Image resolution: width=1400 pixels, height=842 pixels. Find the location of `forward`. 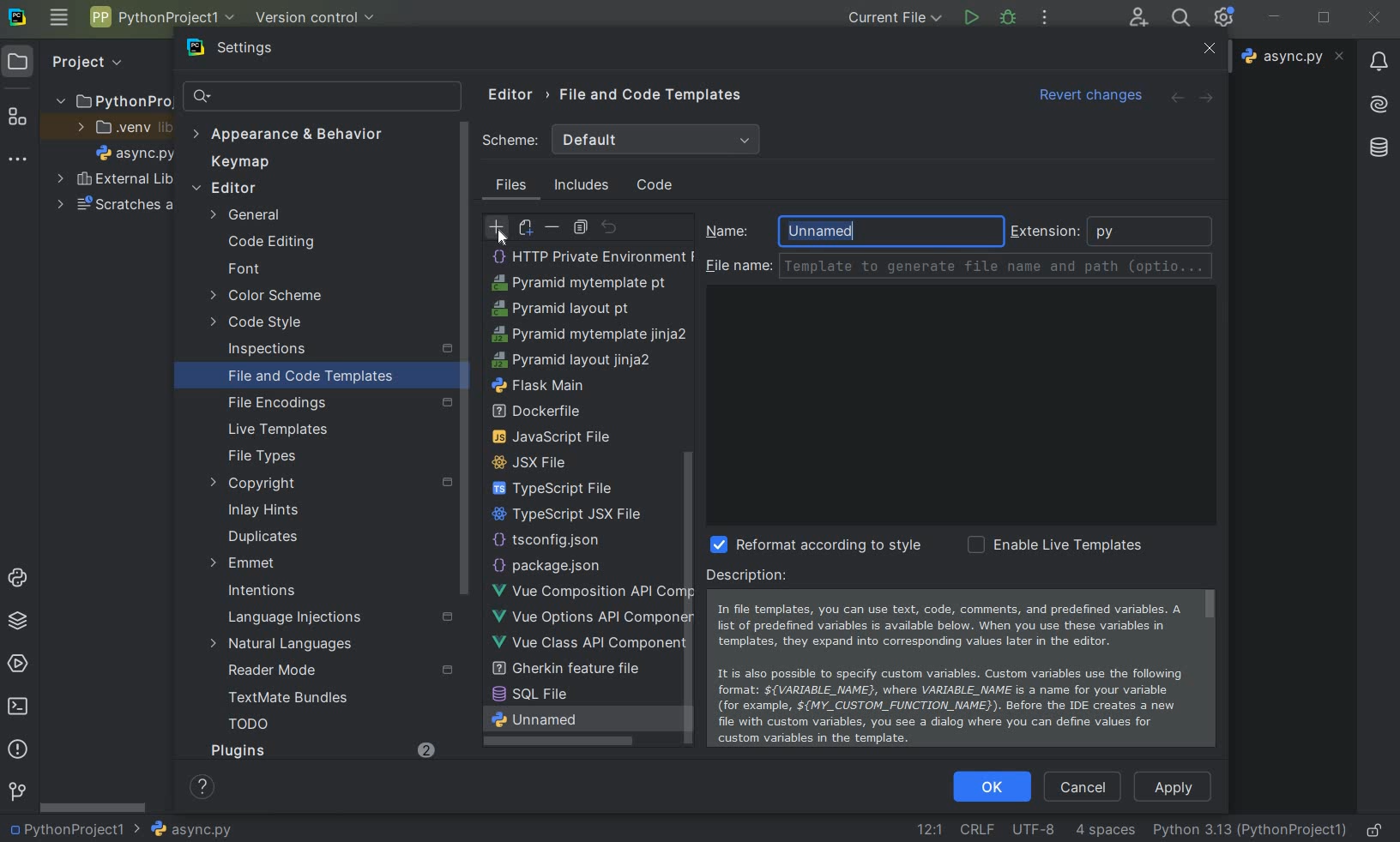

forward is located at coordinates (1206, 99).